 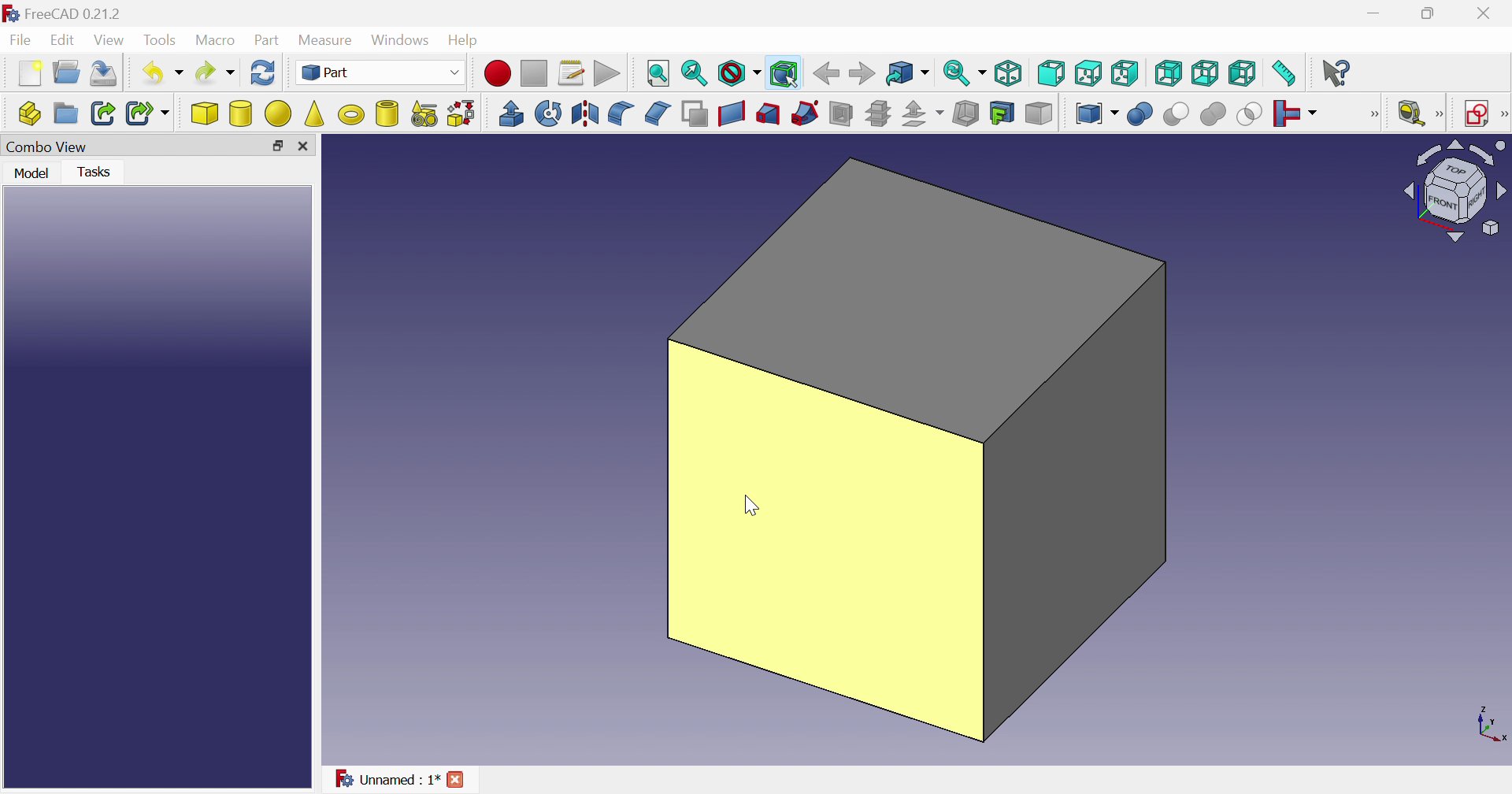 What do you see at coordinates (1125, 73) in the screenshot?
I see `Right` at bounding box center [1125, 73].